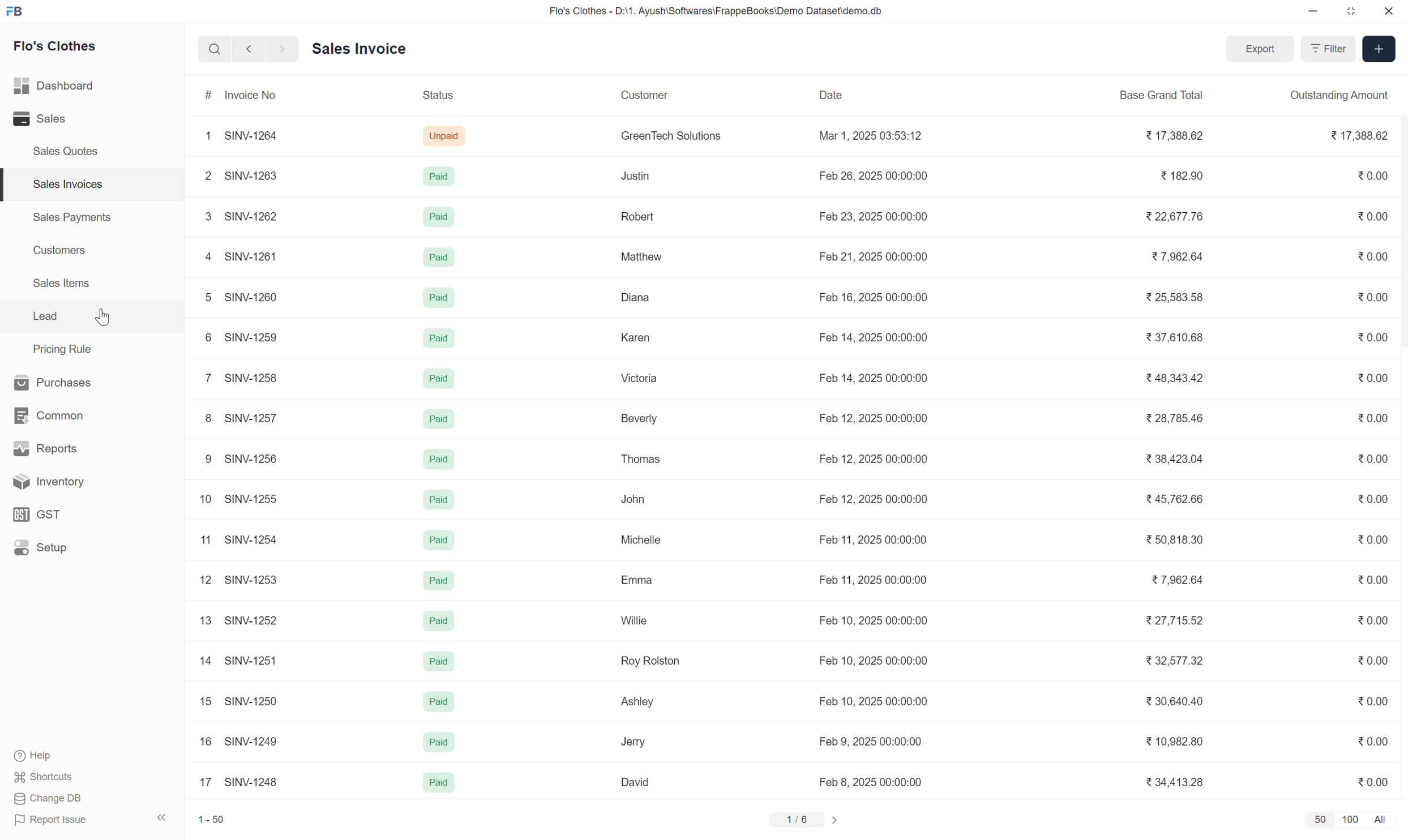 The width and height of the screenshot is (1408, 840). Describe the element at coordinates (629, 620) in the screenshot. I see `Willie` at that location.